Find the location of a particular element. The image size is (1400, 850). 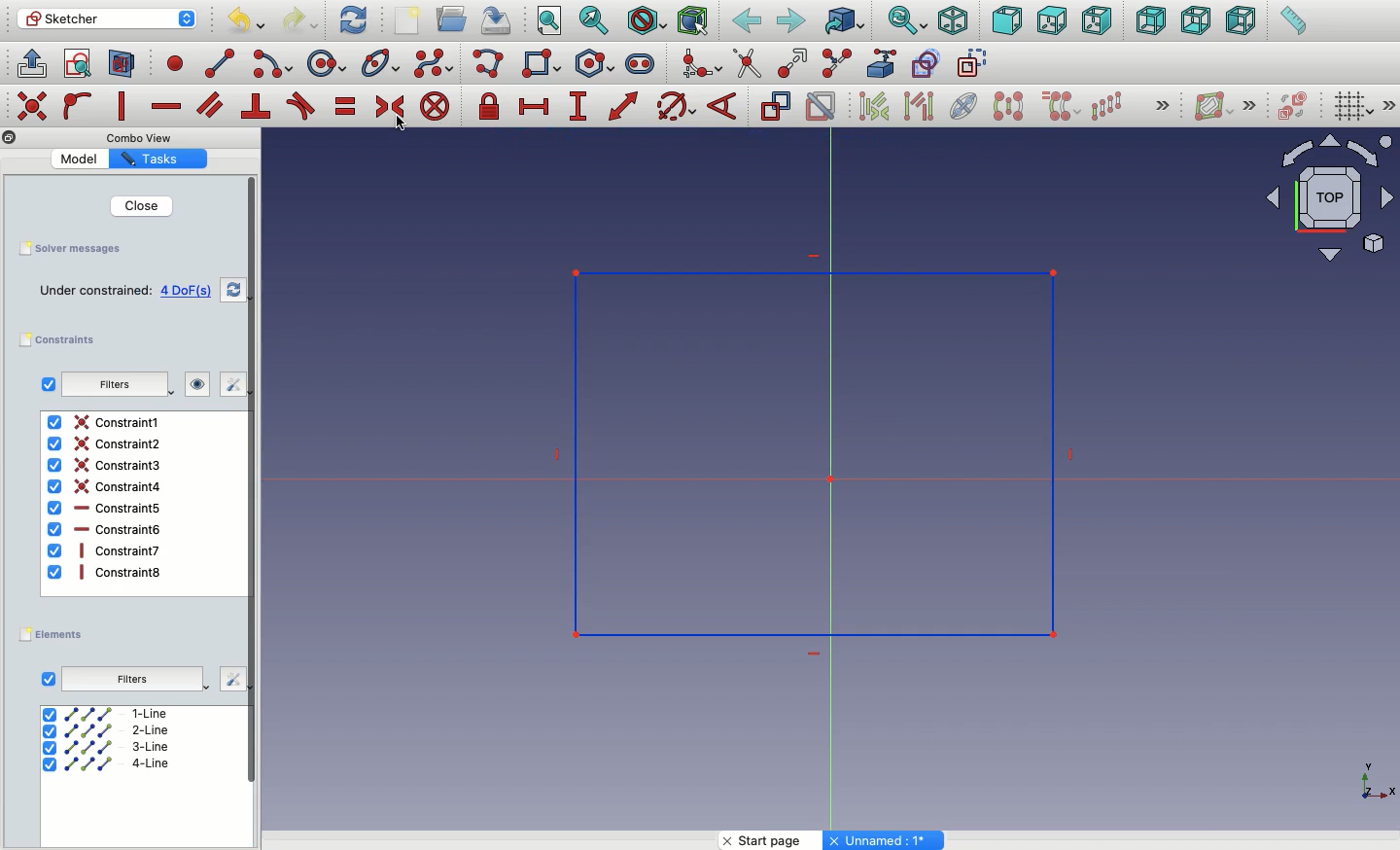

constrain vertically  is located at coordinates (126, 107).